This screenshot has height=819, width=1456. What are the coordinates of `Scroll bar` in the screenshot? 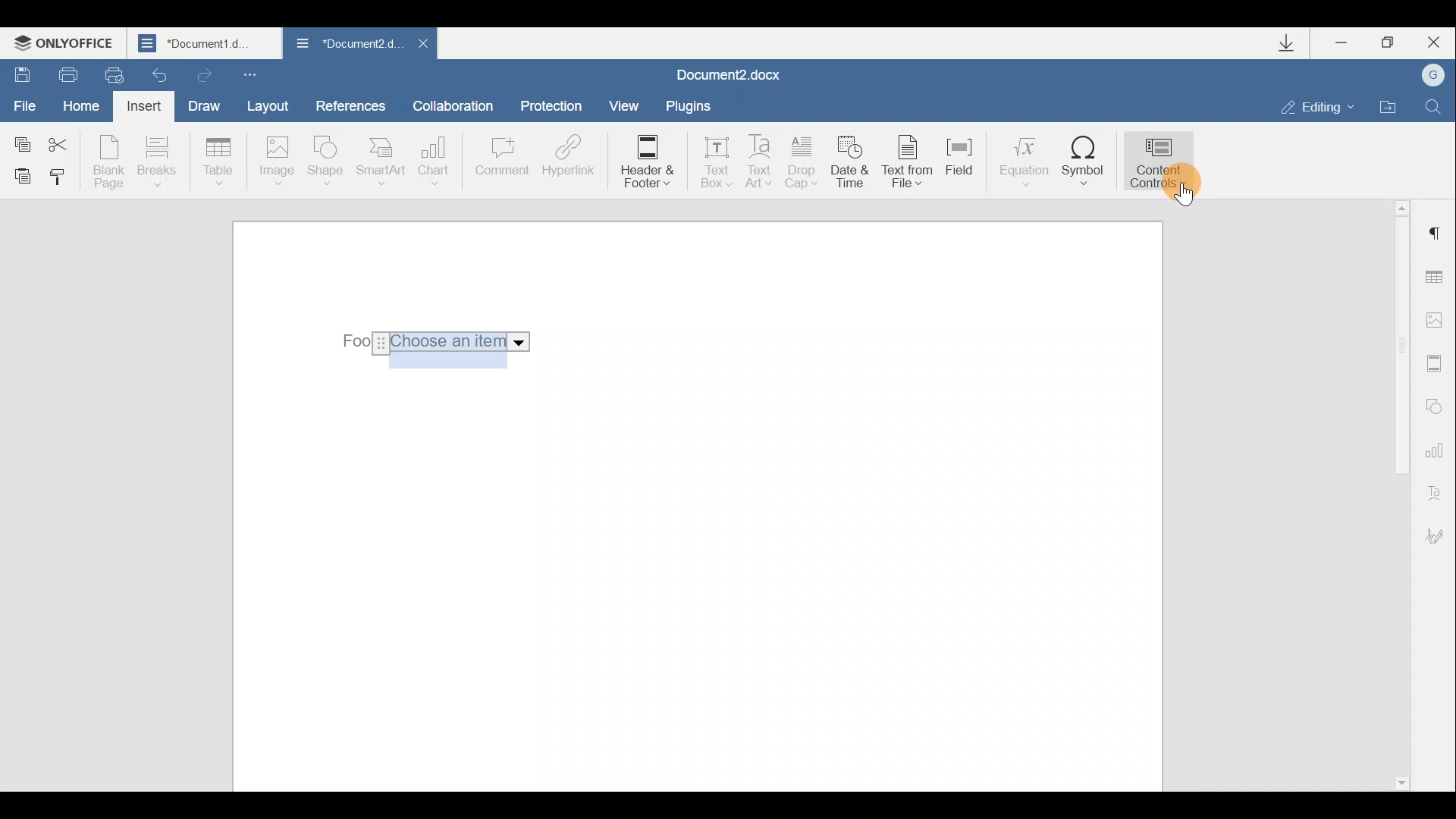 It's located at (1397, 493).